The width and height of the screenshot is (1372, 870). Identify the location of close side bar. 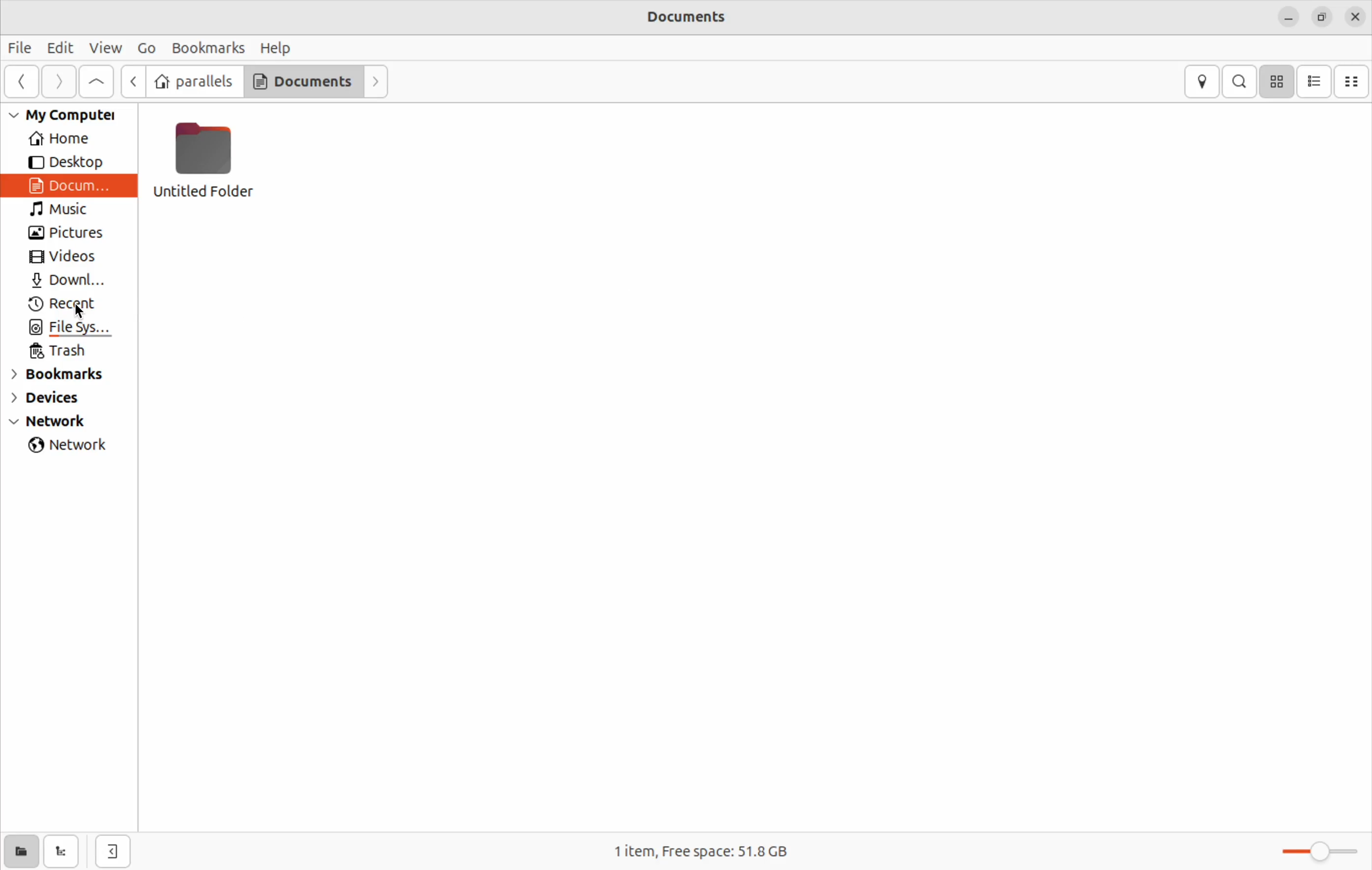
(113, 850).